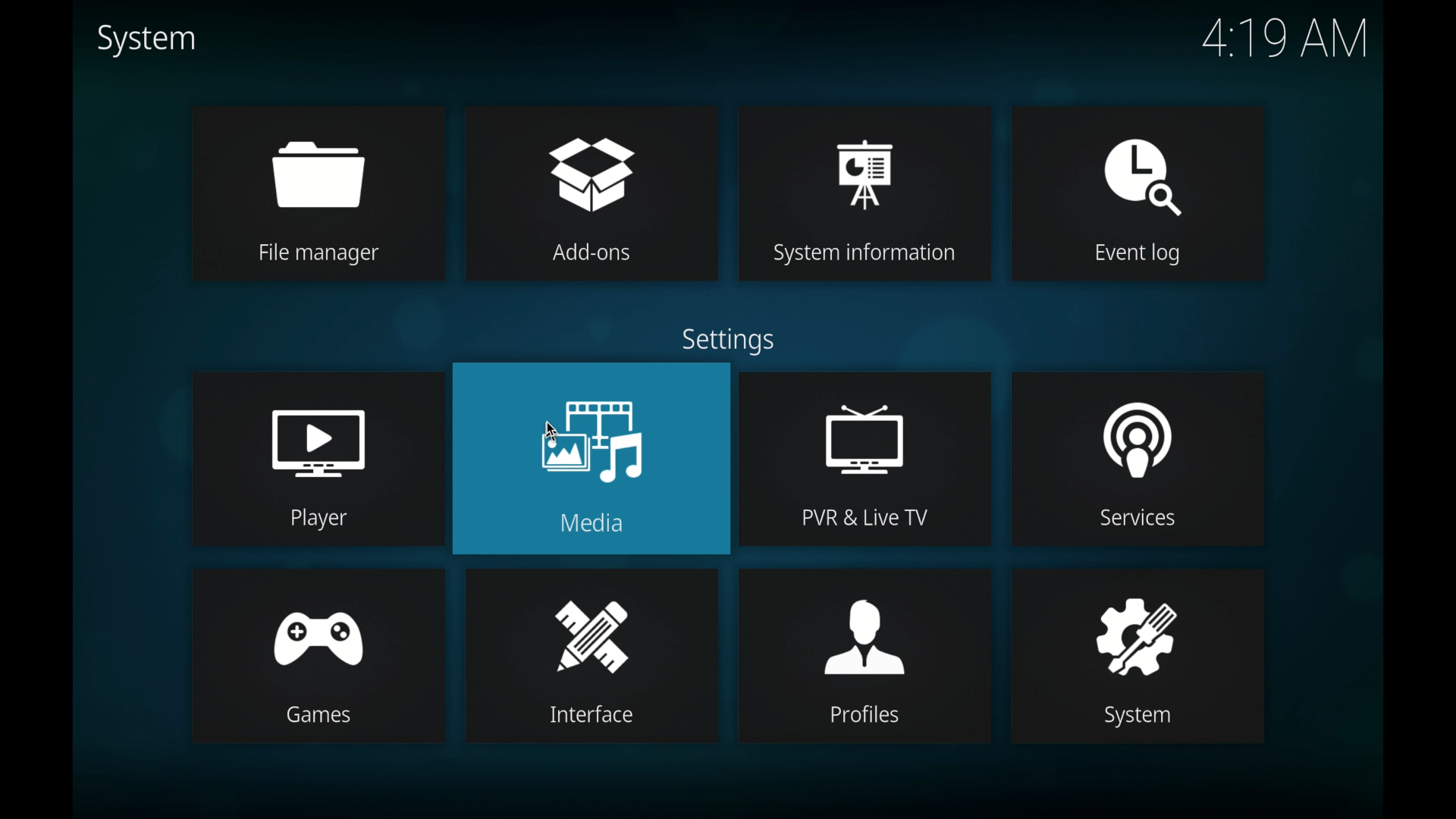 This screenshot has width=1456, height=819. What do you see at coordinates (1137, 193) in the screenshot?
I see `event log` at bounding box center [1137, 193].